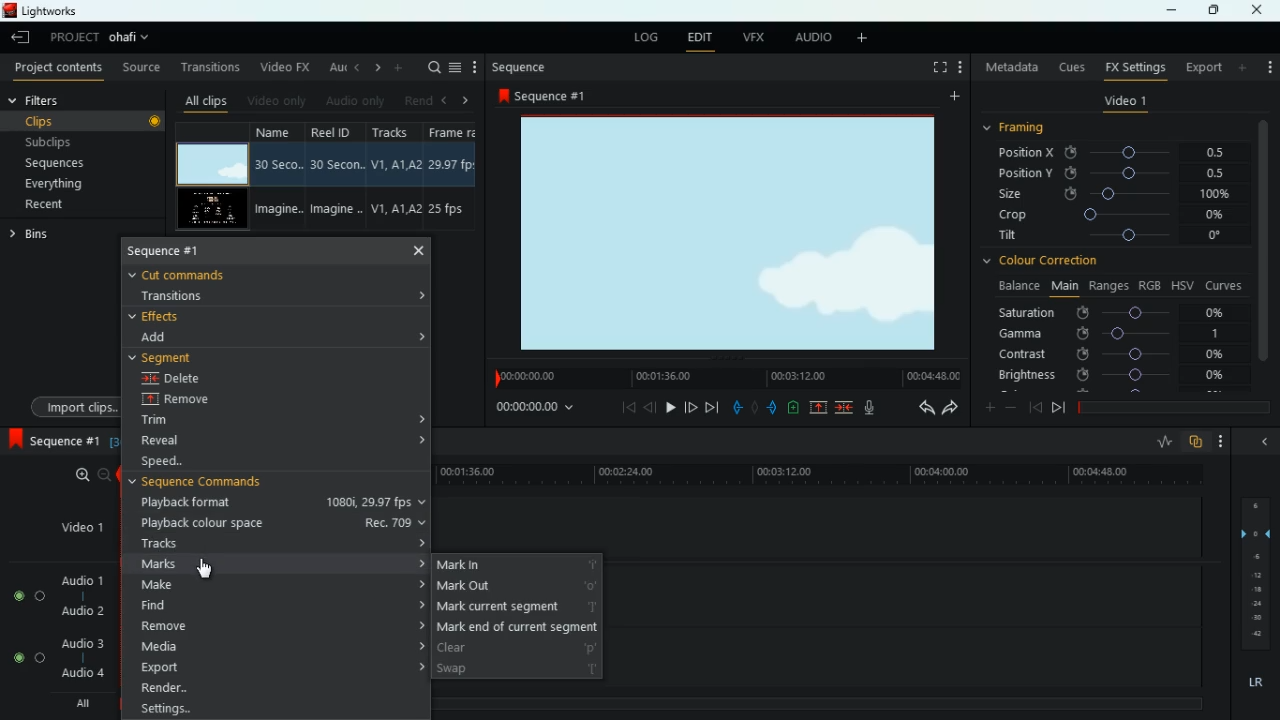 The image size is (1280, 720). Describe the element at coordinates (1263, 248) in the screenshot. I see `vertical scroll bar` at that location.